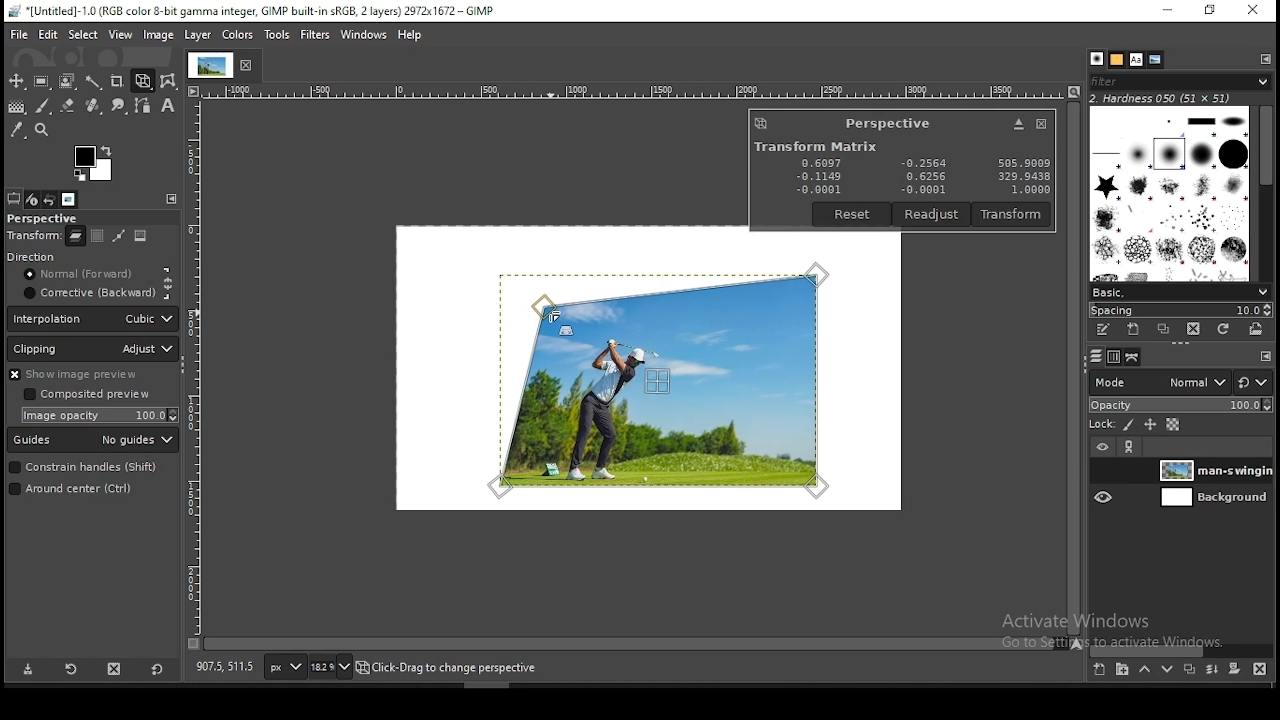 This screenshot has width=1280, height=720. I want to click on guides, so click(94, 441).